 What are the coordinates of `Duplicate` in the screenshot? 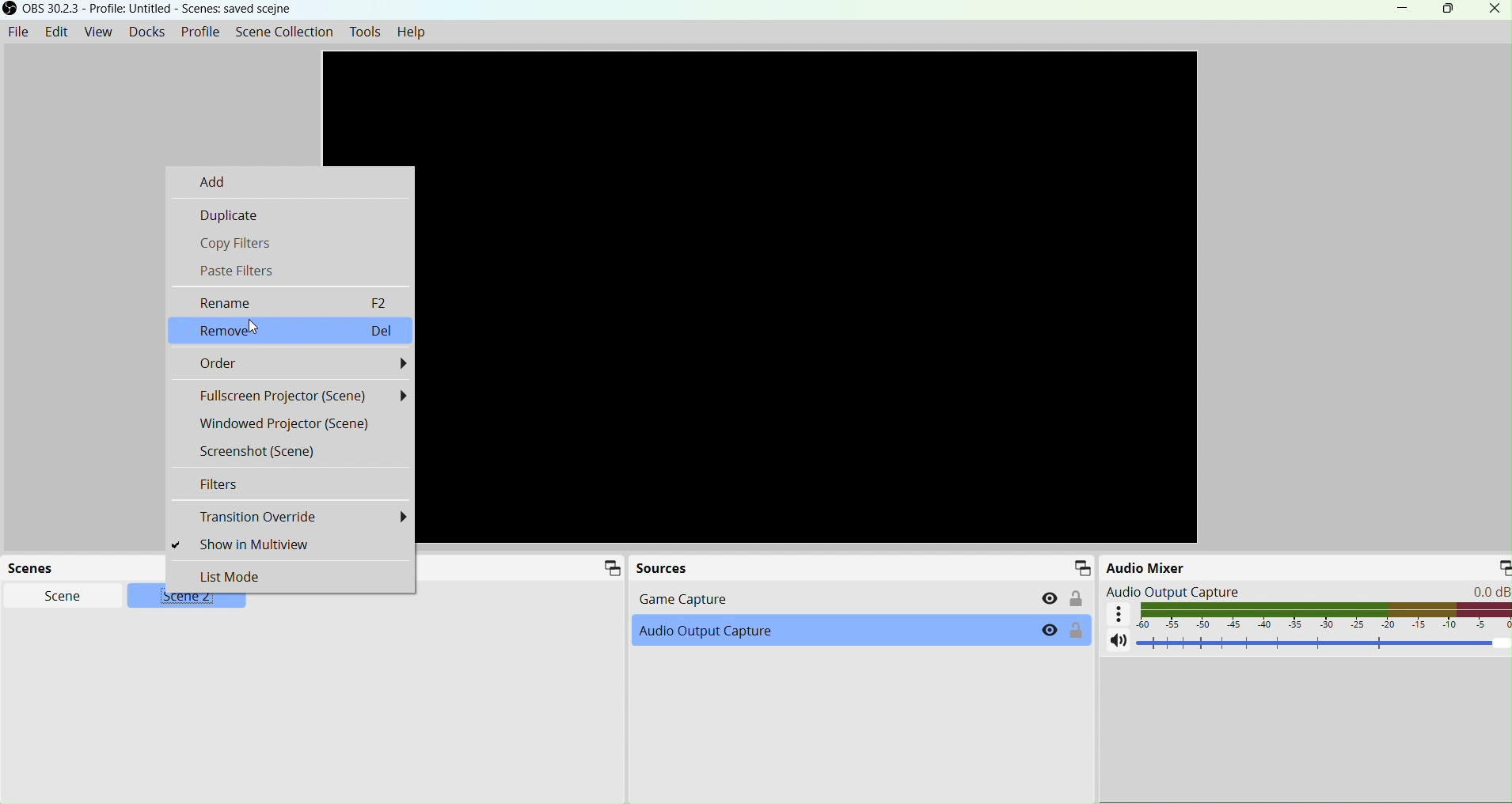 It's located at (291, 213).